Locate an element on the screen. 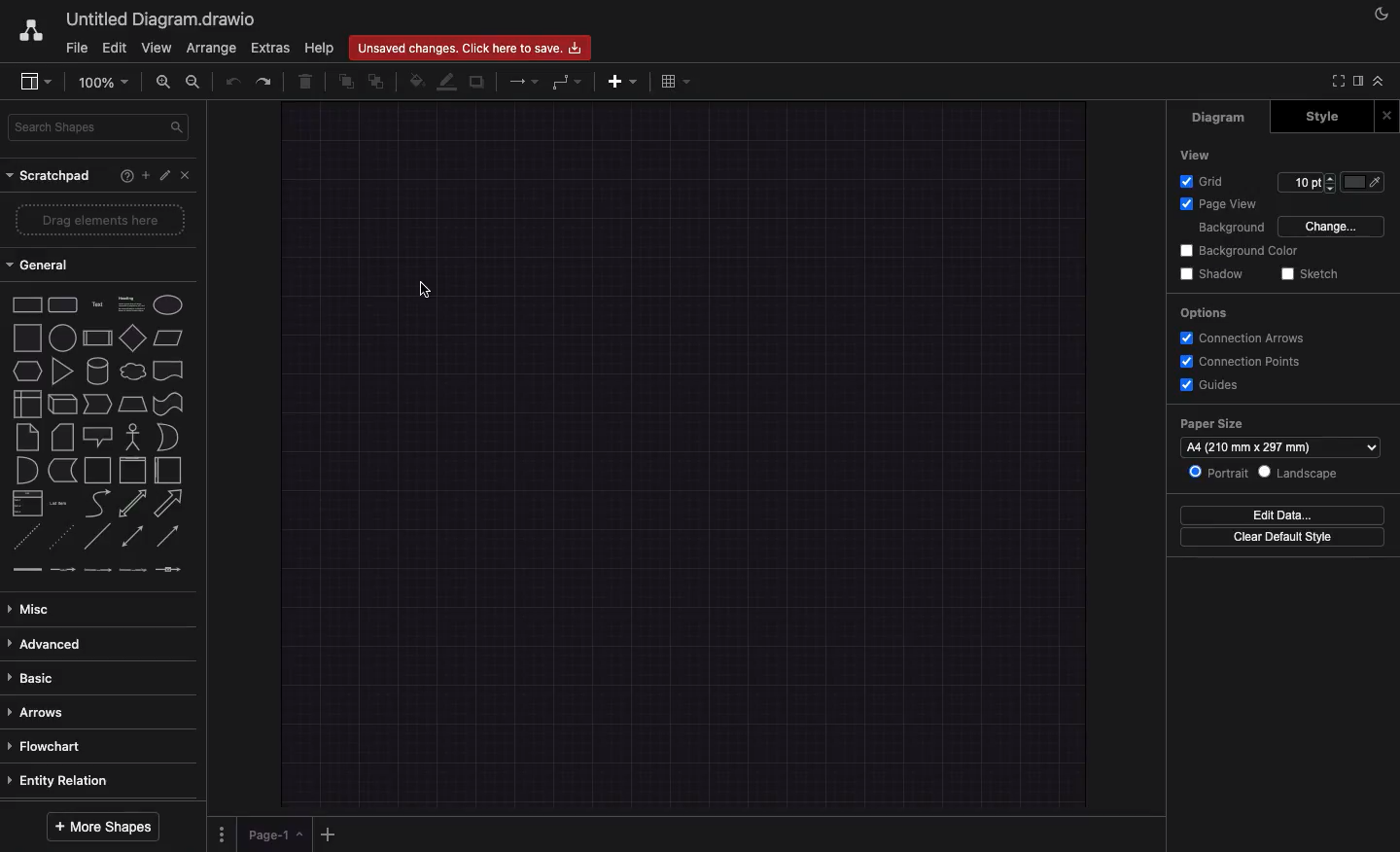 The height and width of the screenshot is (852, 1400). Connection arrows is located at coordinates (1242, 337).